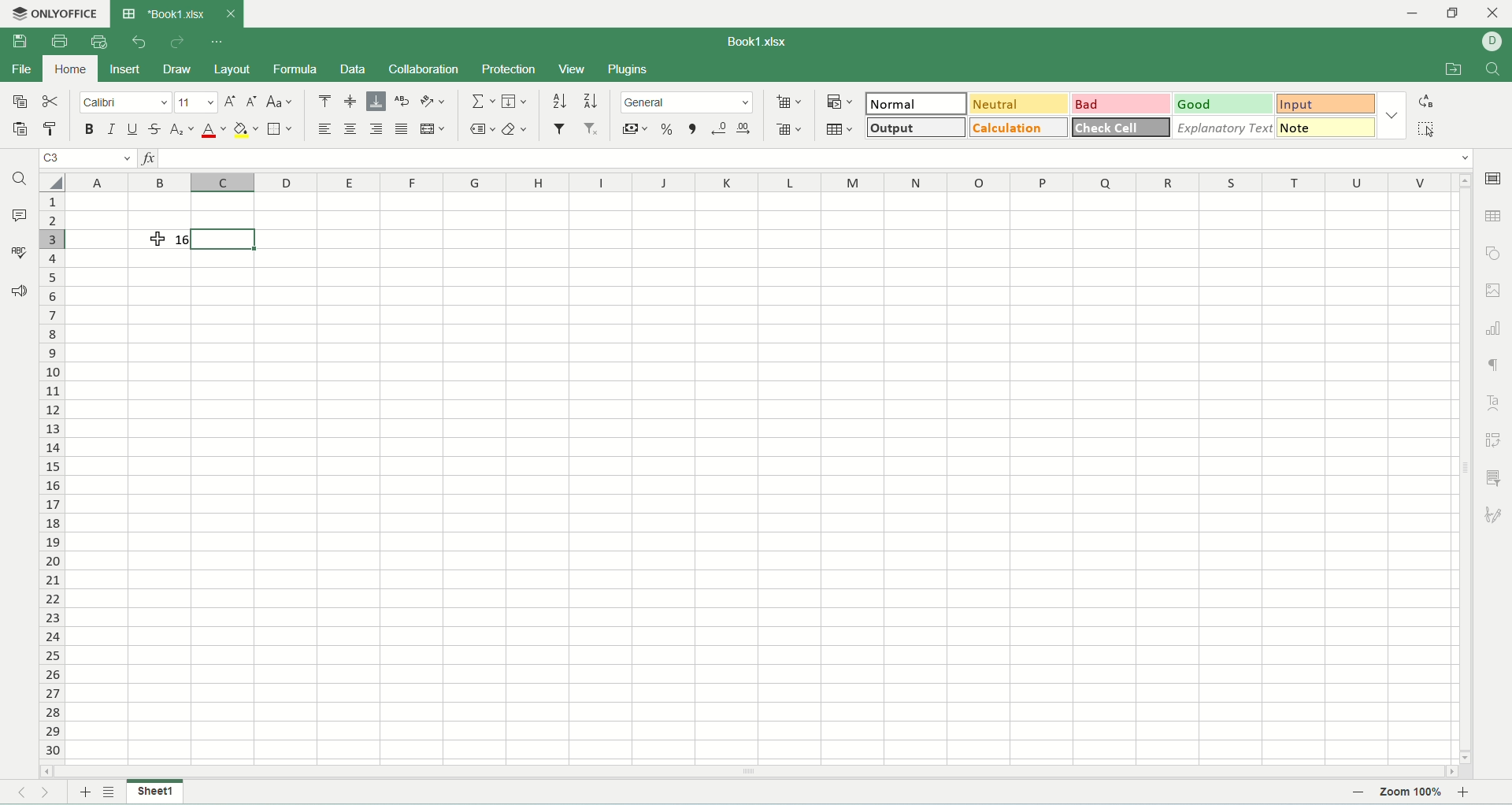  Describe the element at coordinates (157, 131) in the screenshot. I see `strikethrough` at that location.